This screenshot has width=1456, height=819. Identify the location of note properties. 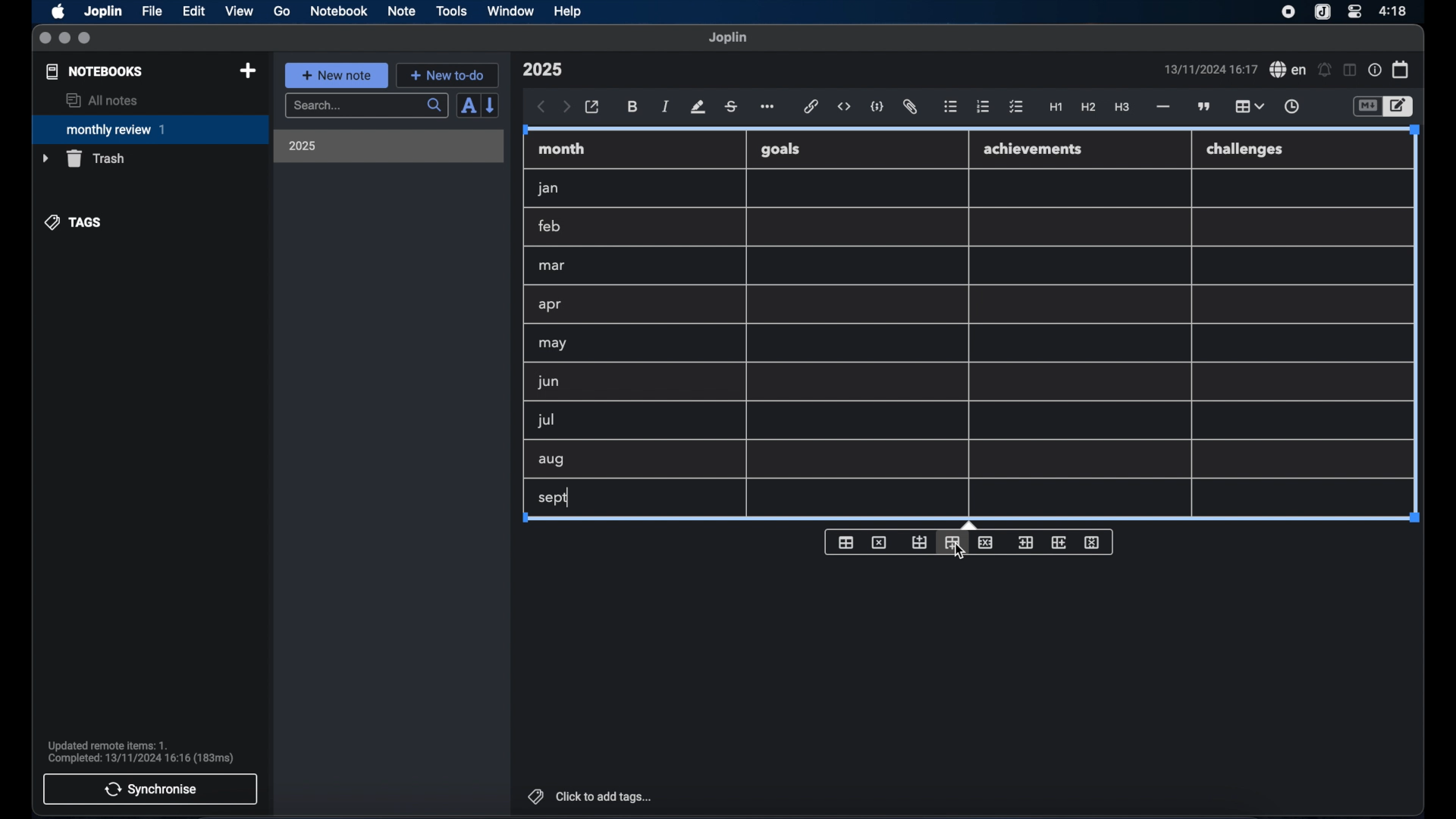
(1375, 71).